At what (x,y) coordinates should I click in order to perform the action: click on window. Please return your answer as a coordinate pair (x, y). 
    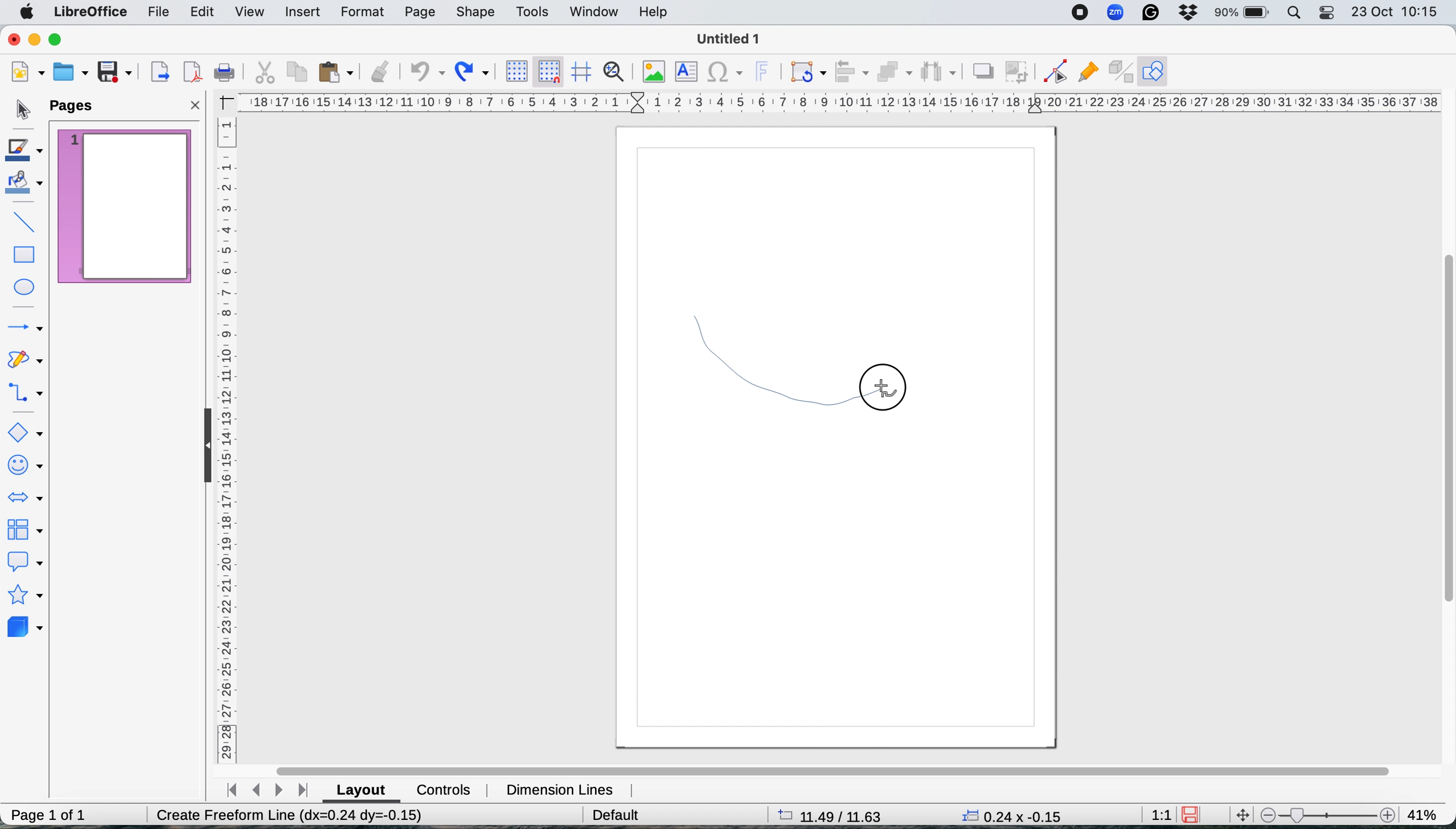
    Looking at the image, I should click on (594, 12).